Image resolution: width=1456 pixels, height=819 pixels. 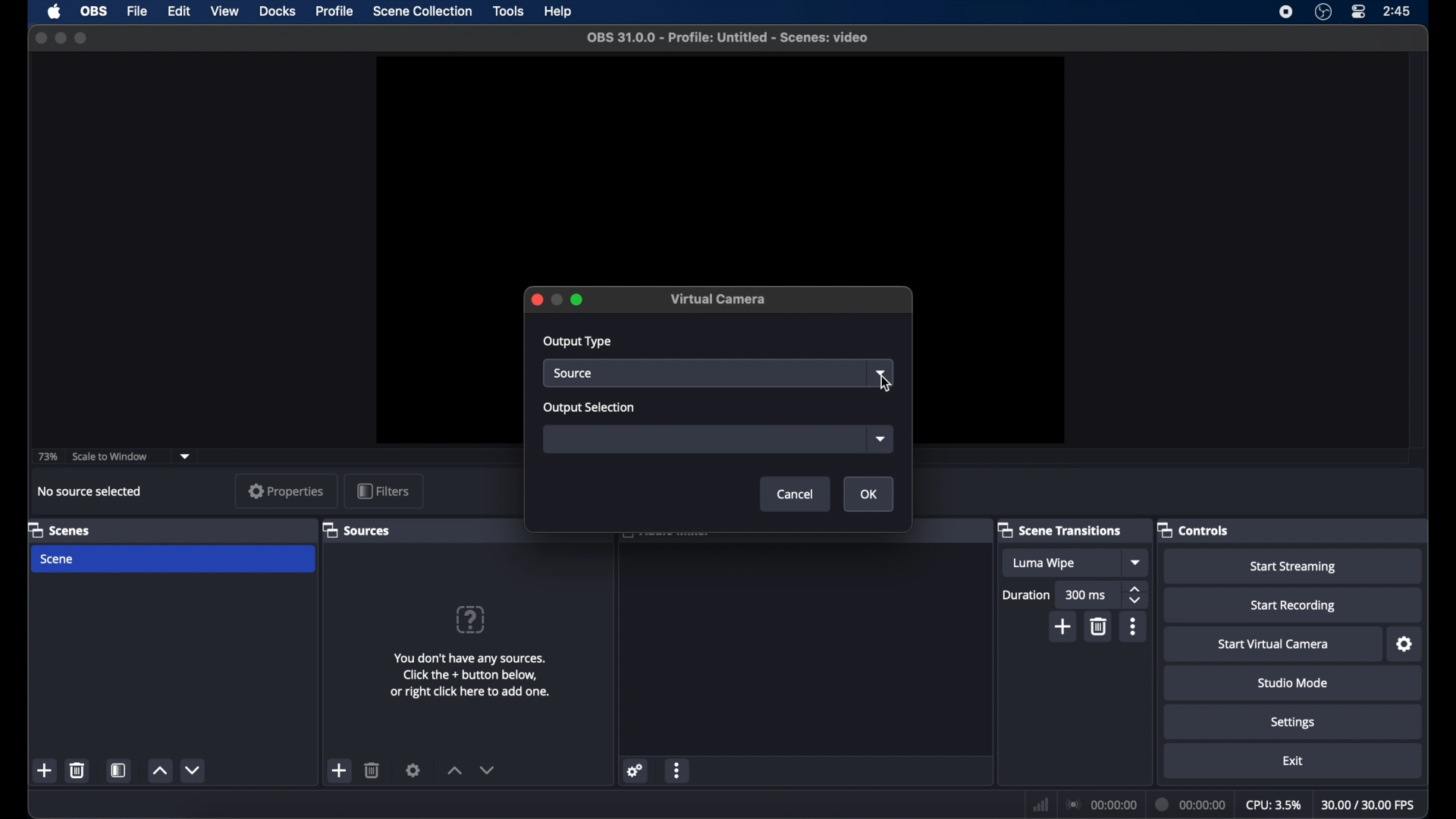 What do you see at coordinates (90, 491) in the screenshot?
I see `no source selected` at bounding box center [90, 491].